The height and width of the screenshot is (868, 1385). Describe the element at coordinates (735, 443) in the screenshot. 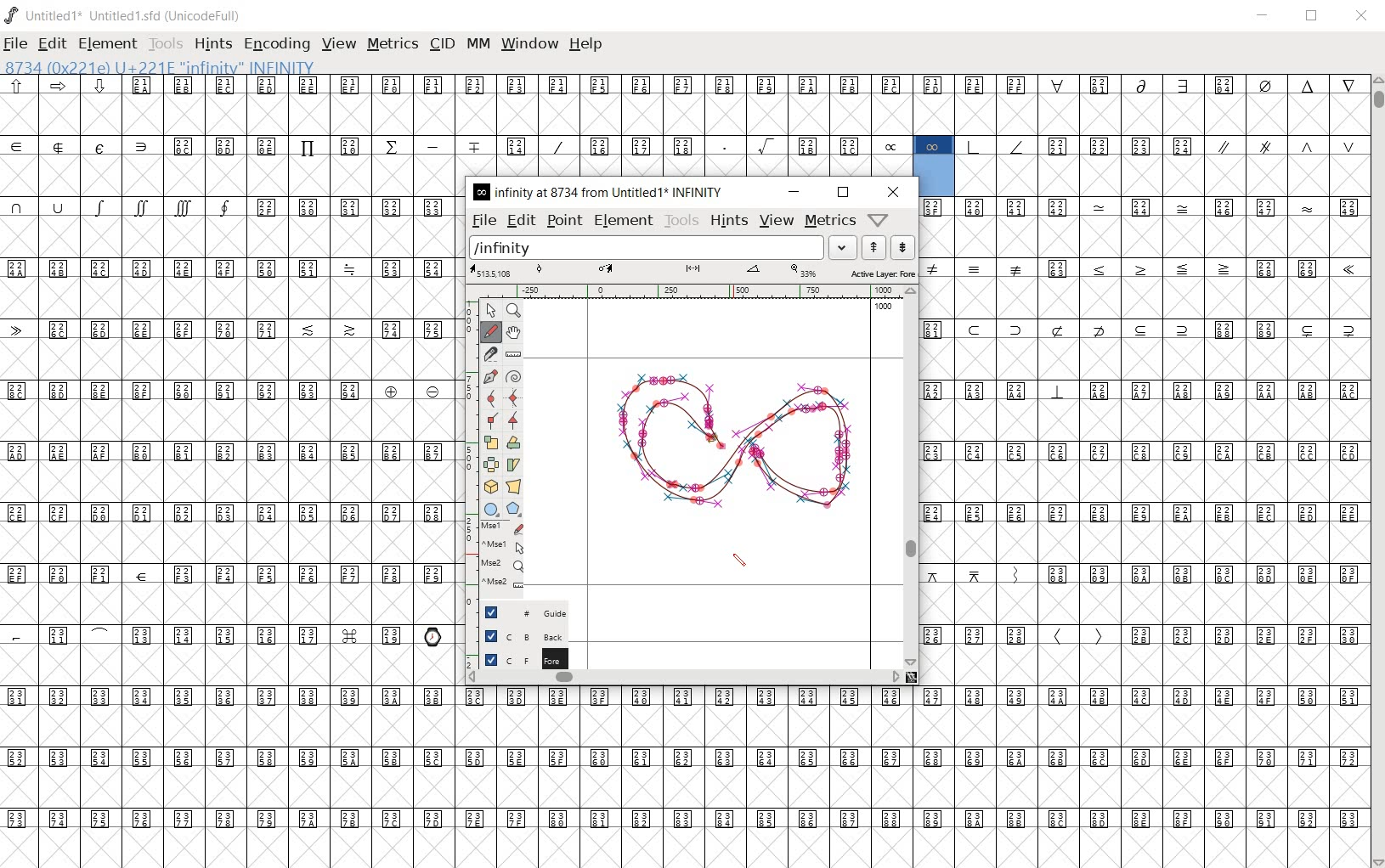

I see `Designed glyph infinity symbol` at that location.